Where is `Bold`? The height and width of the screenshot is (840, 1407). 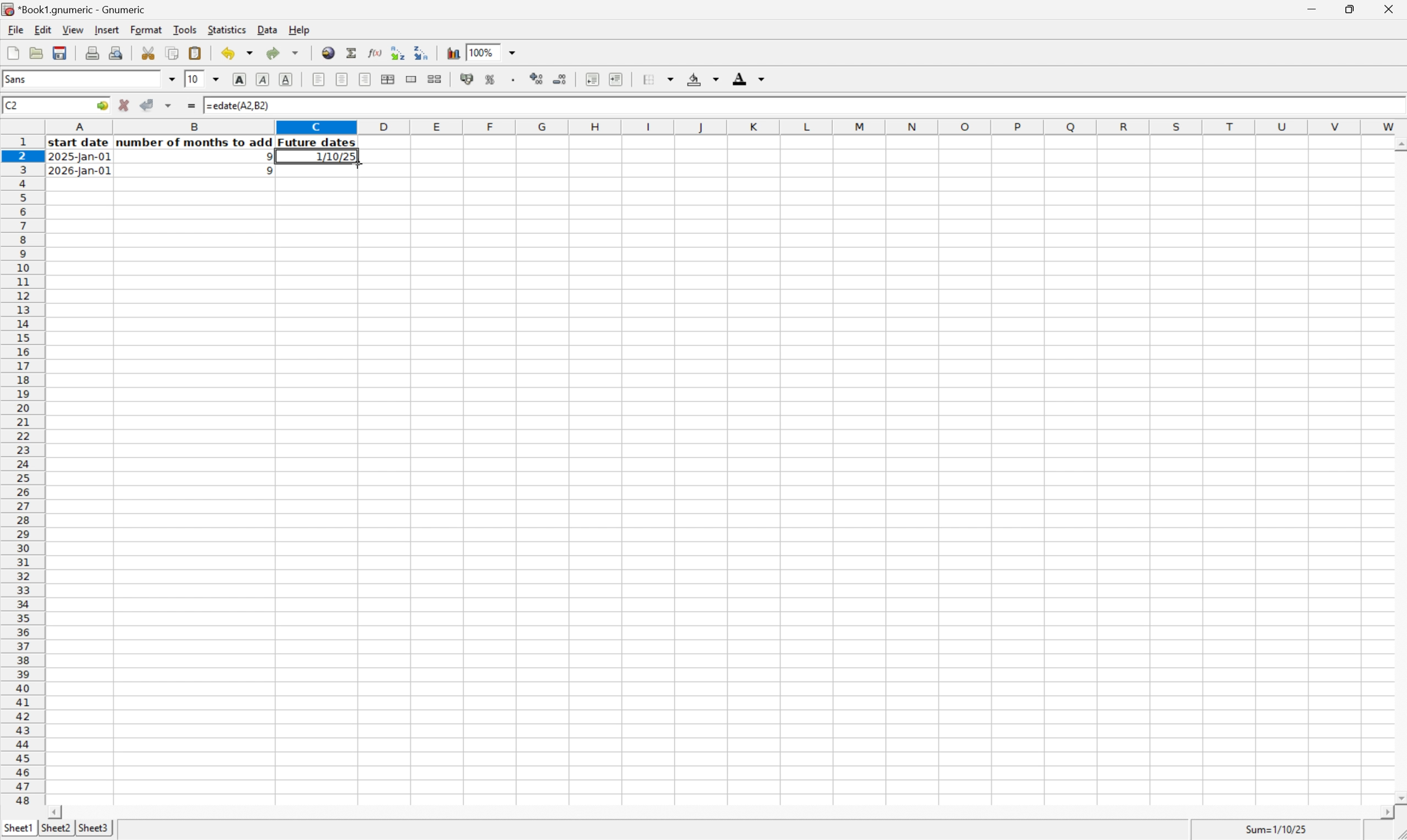 Bold is located at coordinates (240, 80).